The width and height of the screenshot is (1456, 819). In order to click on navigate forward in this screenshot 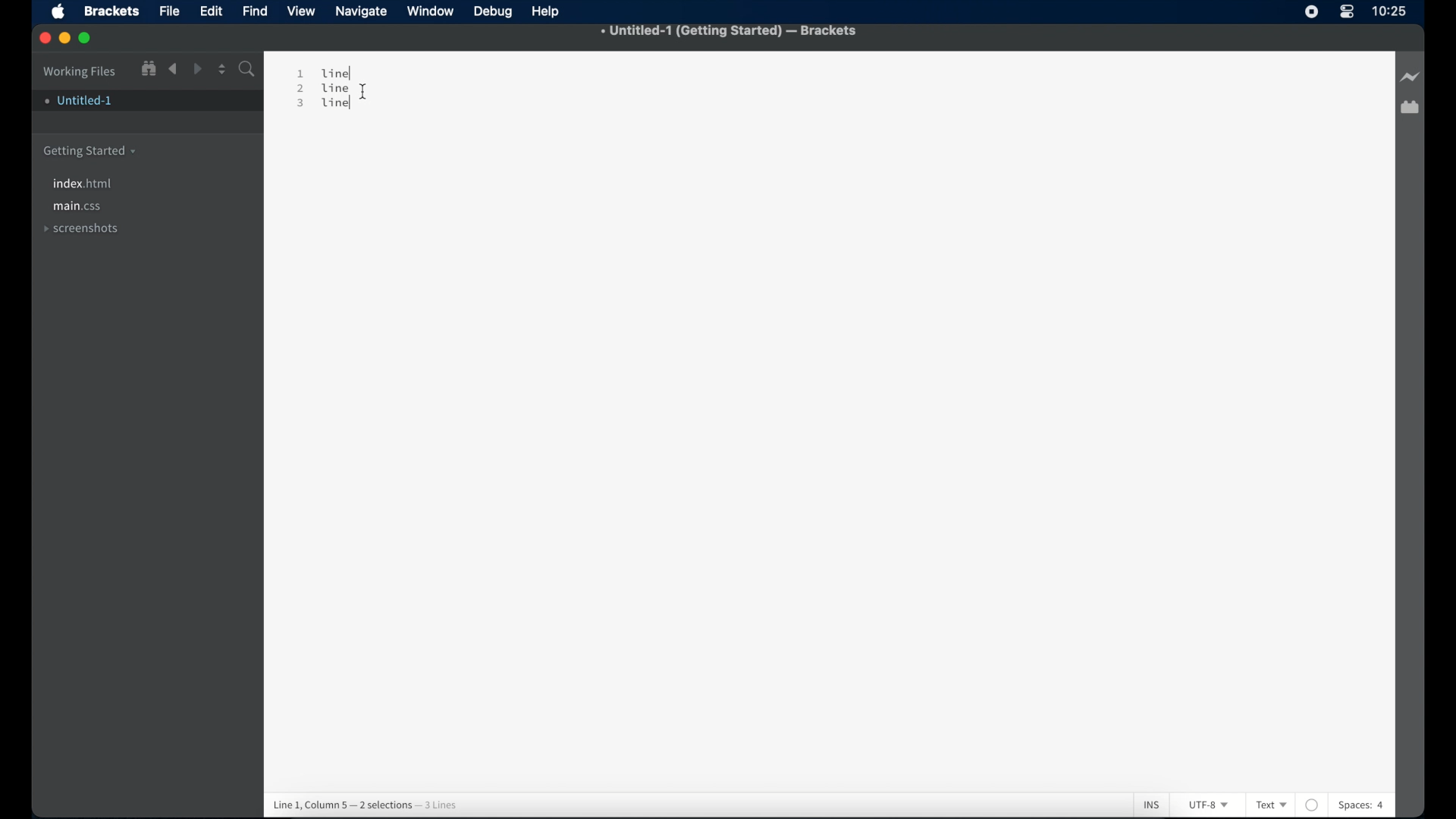, I will do `click(199, 70)`.